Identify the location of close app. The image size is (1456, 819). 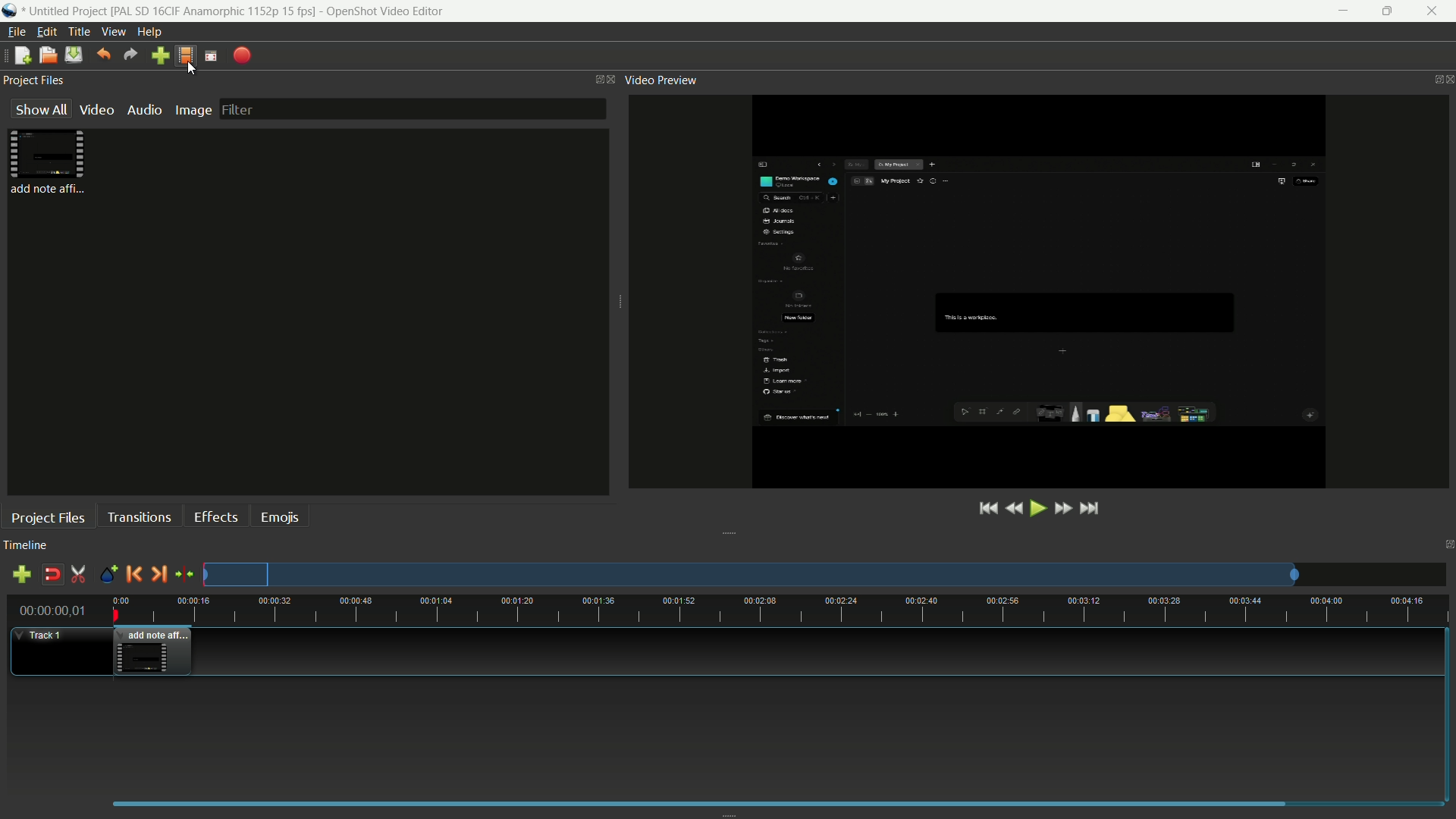
(1436, 11).